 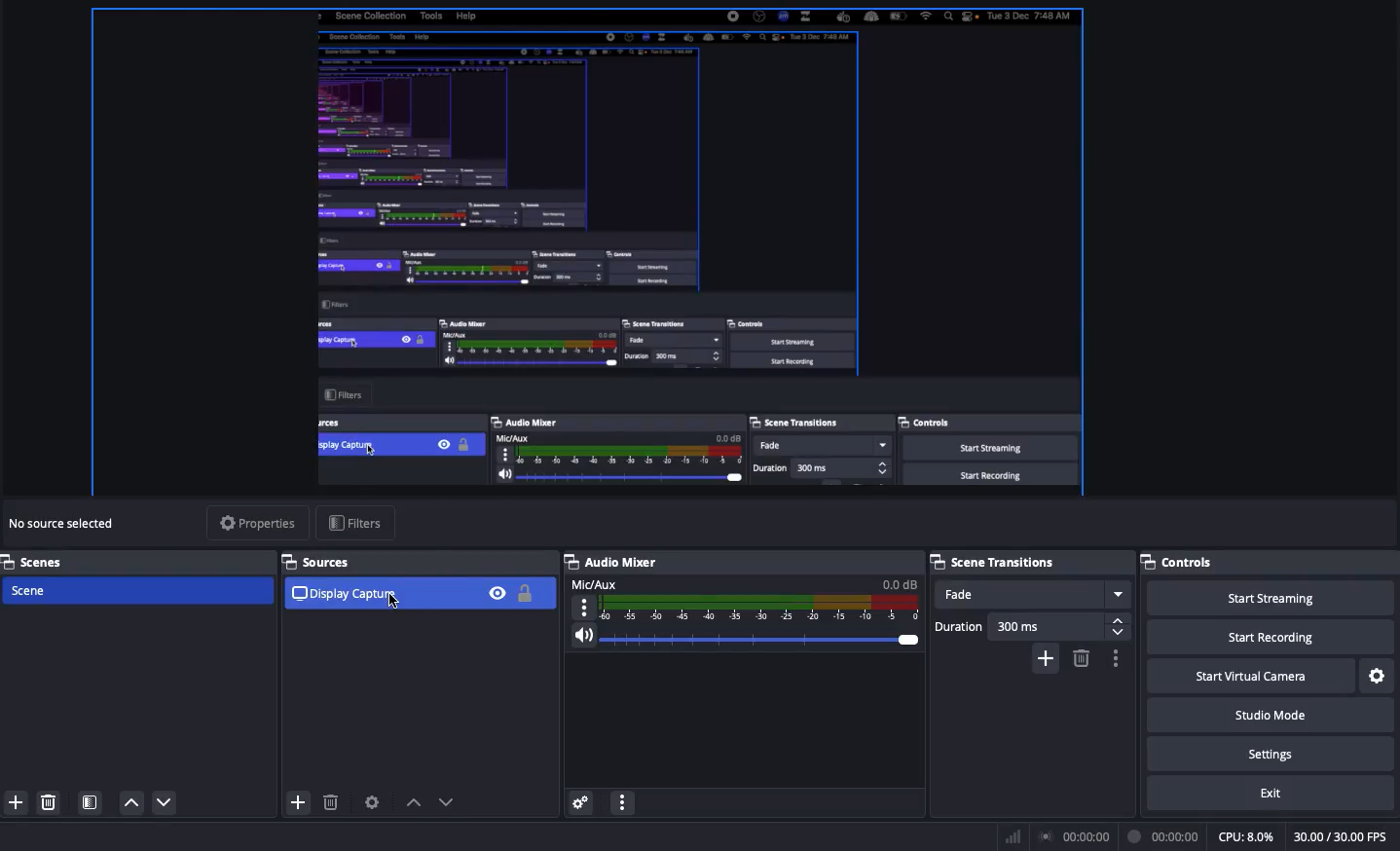 What do you see at coordinates (90, 801) in the screenshot?
I see `Scene filters` at bounding box center [90, 801].